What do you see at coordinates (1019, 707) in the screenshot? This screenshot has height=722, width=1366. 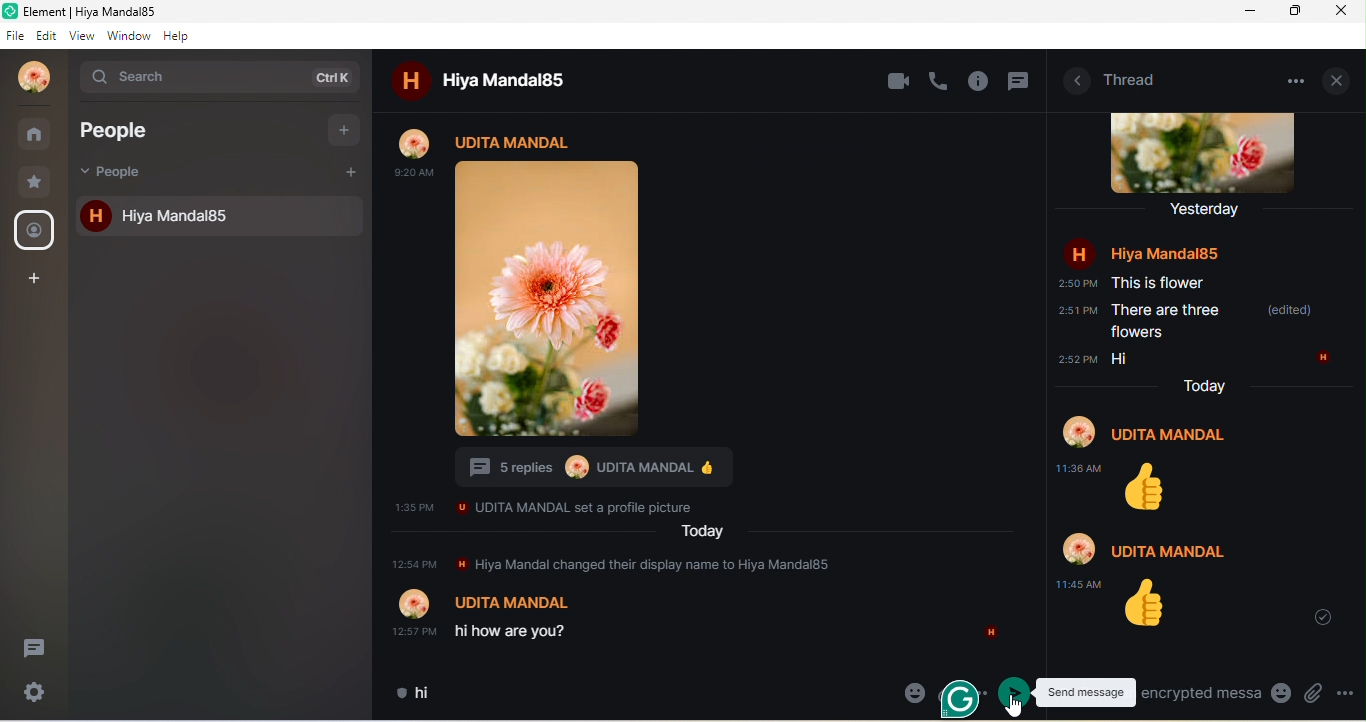 I see `cursor movement` at bounding box center [1019, 707].